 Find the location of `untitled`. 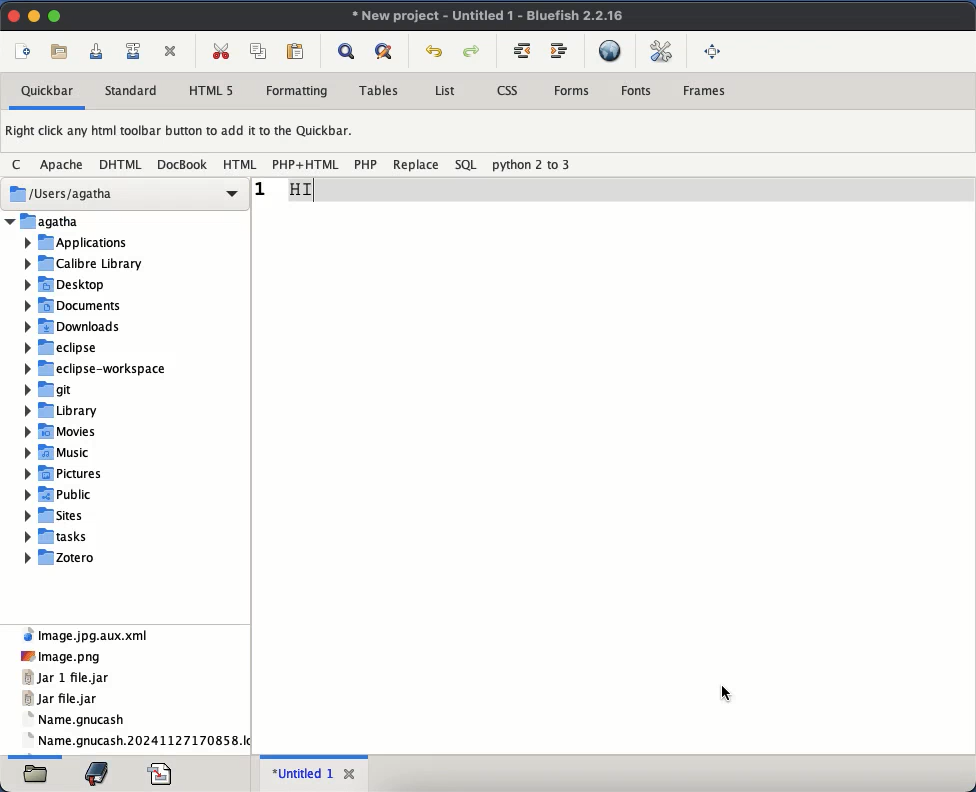

untitled is located at coordinates (491, 19).